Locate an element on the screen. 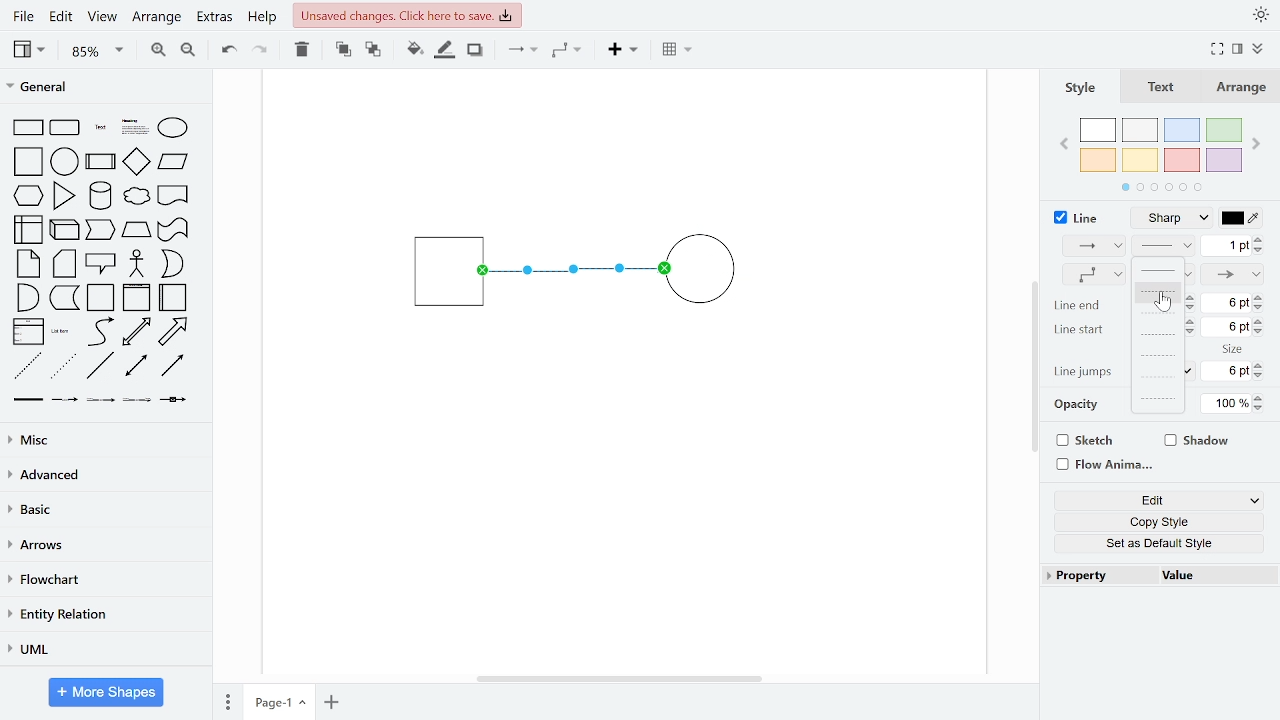 This screenshot has height=720, width=1280. UML is located at coordinates (101, 650).